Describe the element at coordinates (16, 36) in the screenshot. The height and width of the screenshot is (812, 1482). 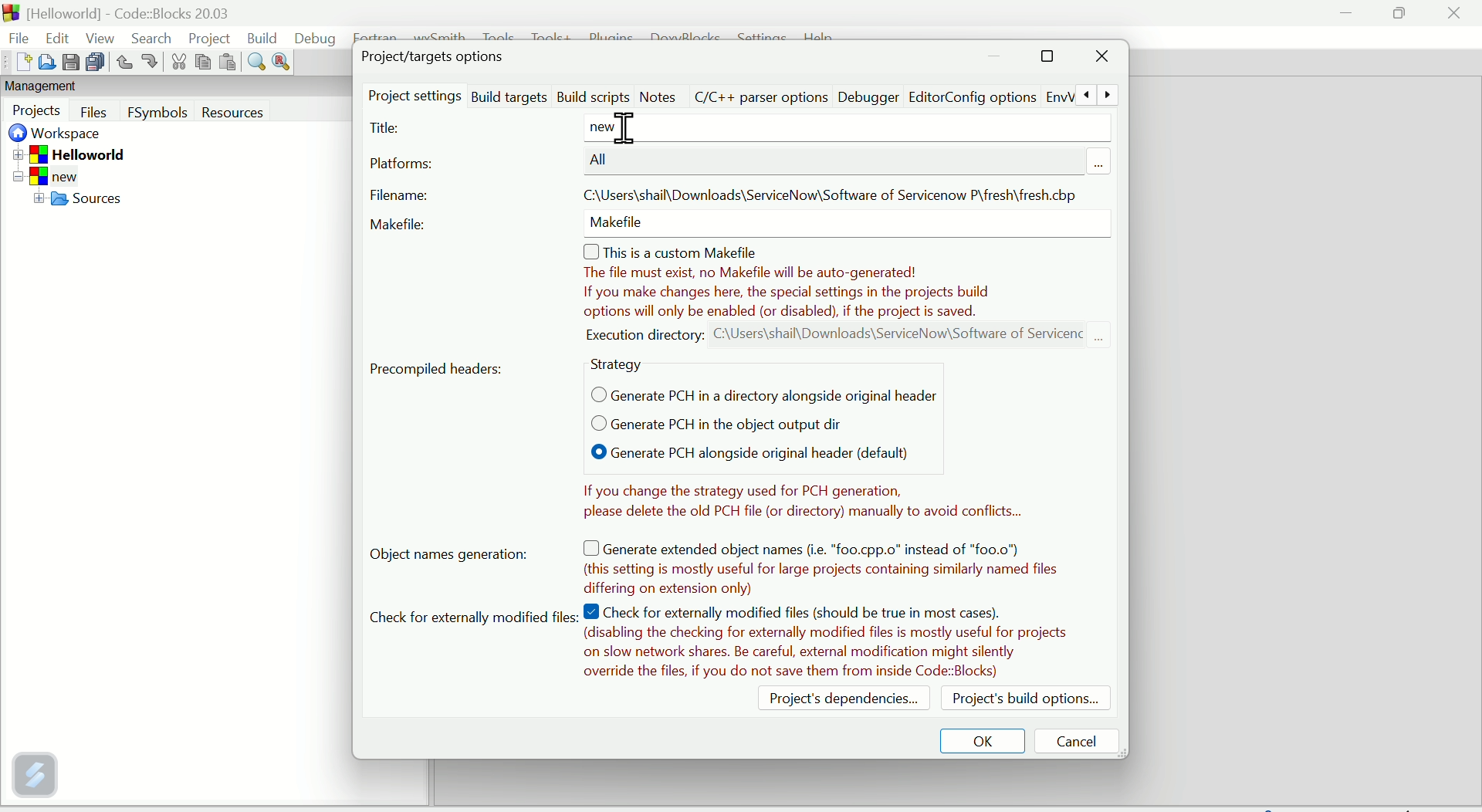
I see `File` at that location.